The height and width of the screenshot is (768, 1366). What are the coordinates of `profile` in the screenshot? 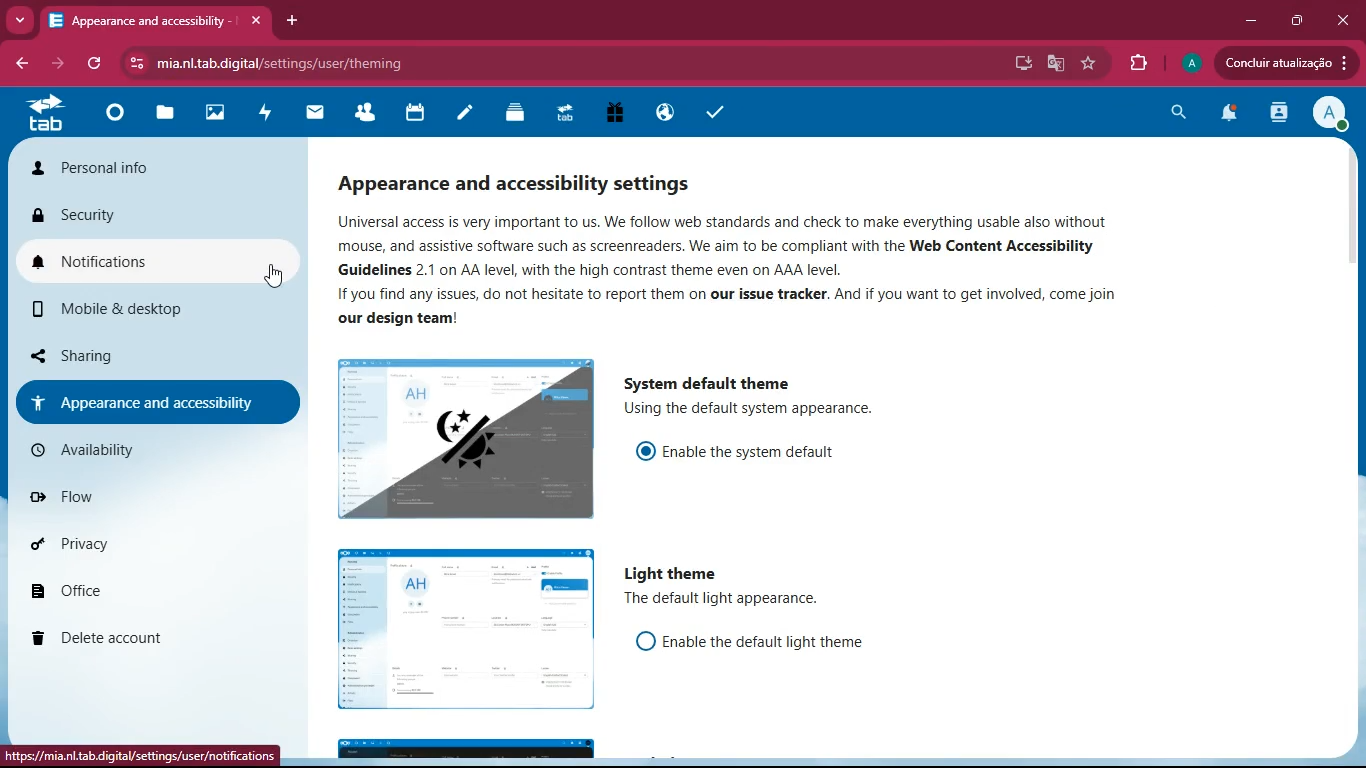 It's located at (1332, 115).